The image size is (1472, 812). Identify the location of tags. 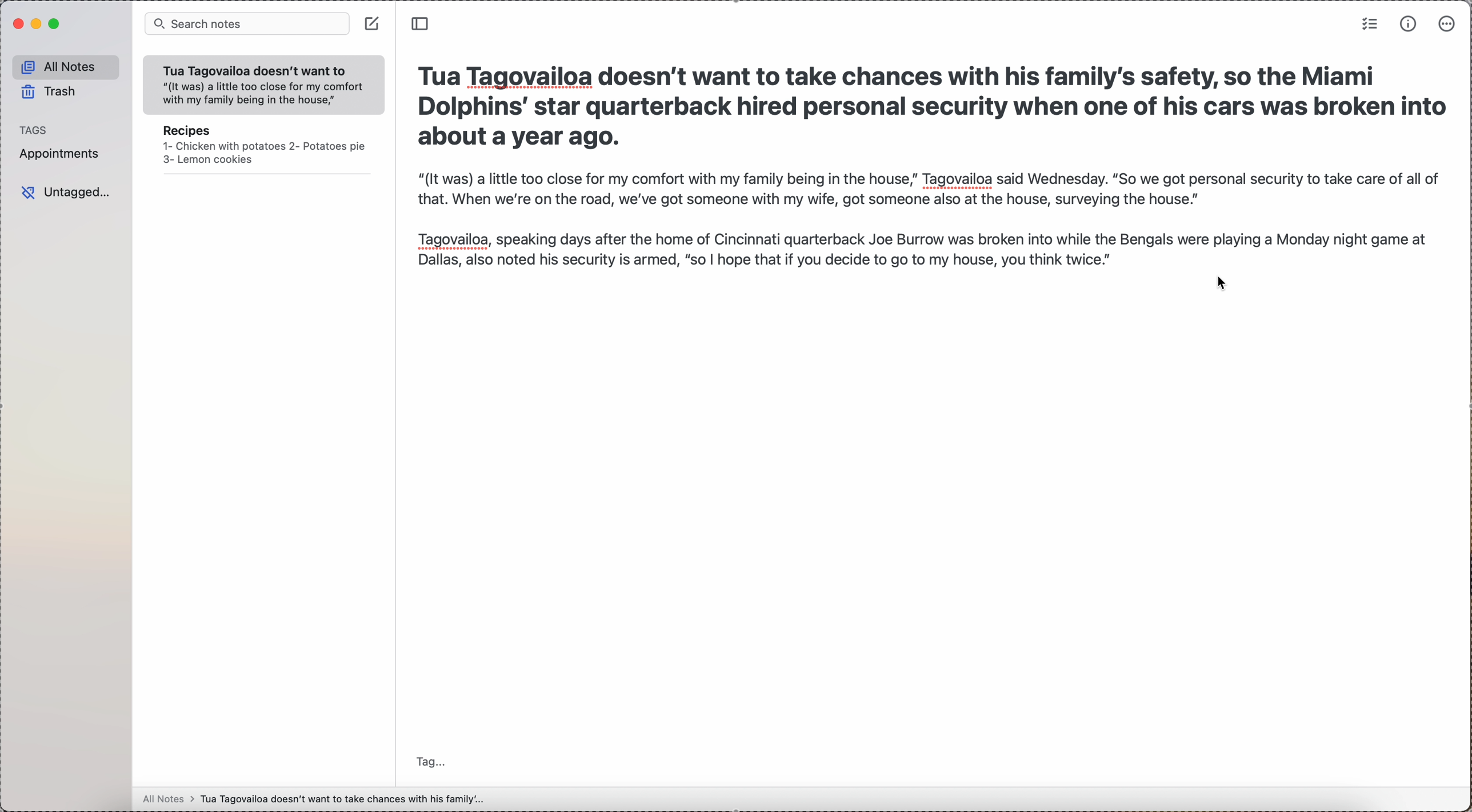
(33, 130).